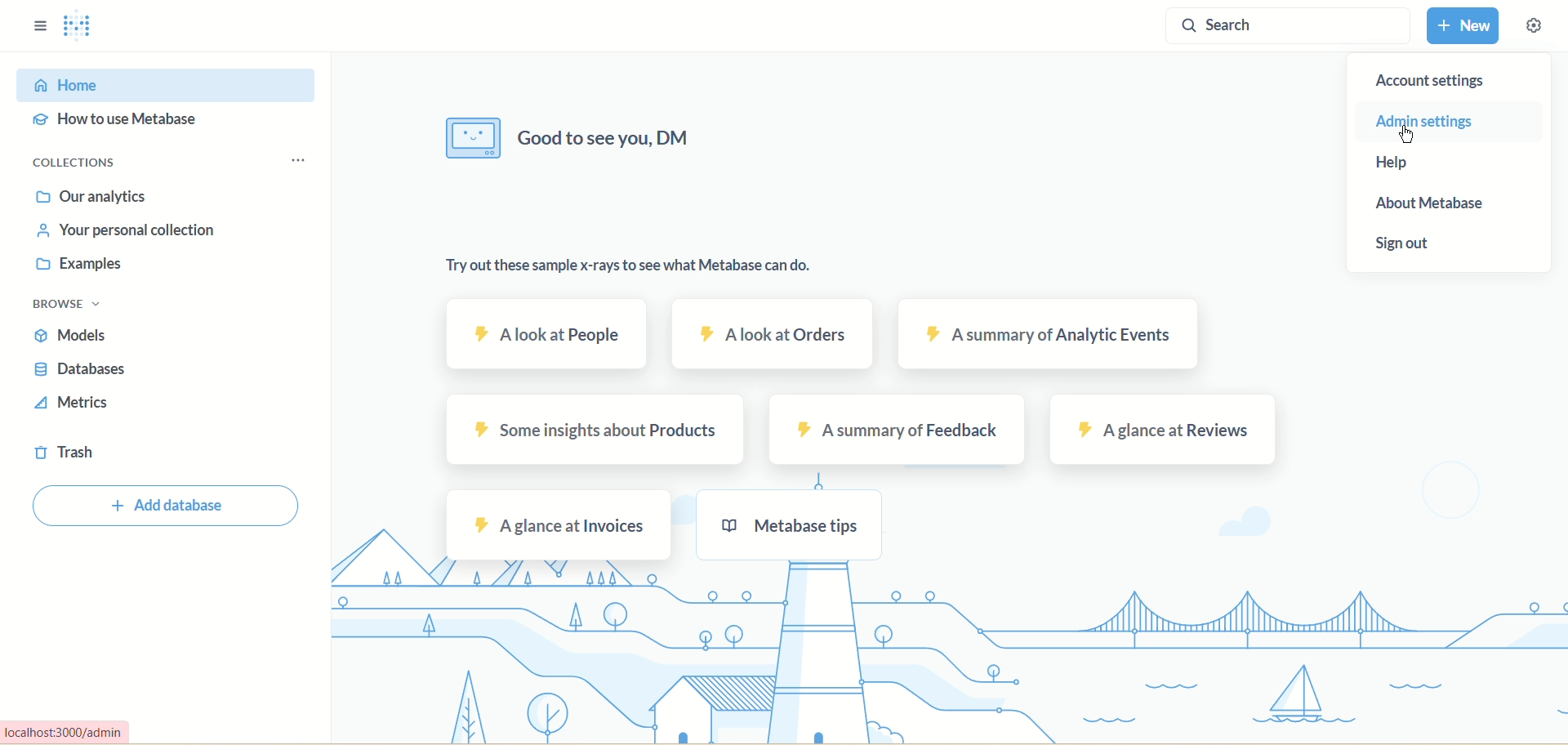 Image resolution: width=1568 pixels, height=745 pixels. I want to click on sidebar, so click(38, 25).